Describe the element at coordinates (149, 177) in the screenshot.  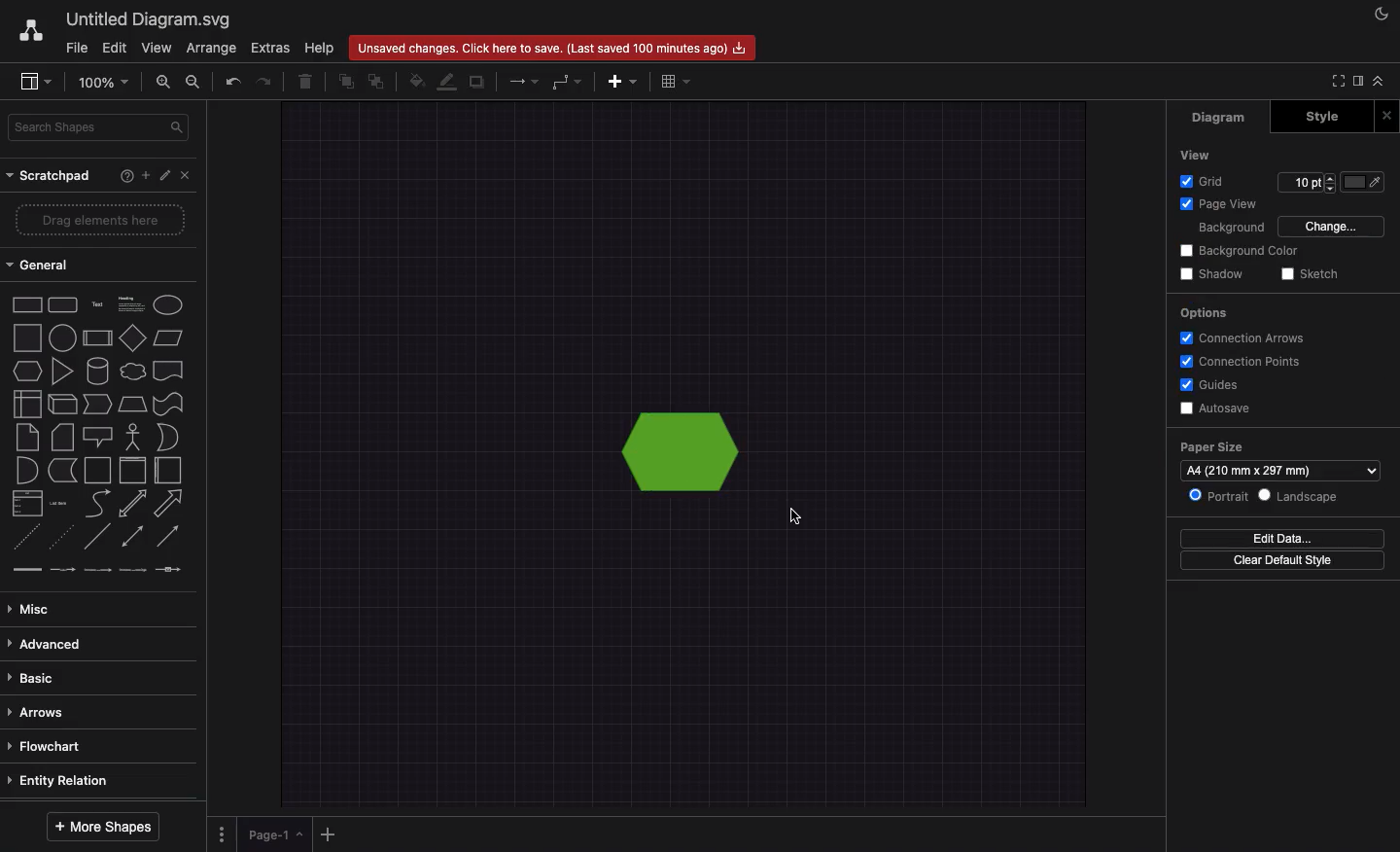
I see `Add` at that location.